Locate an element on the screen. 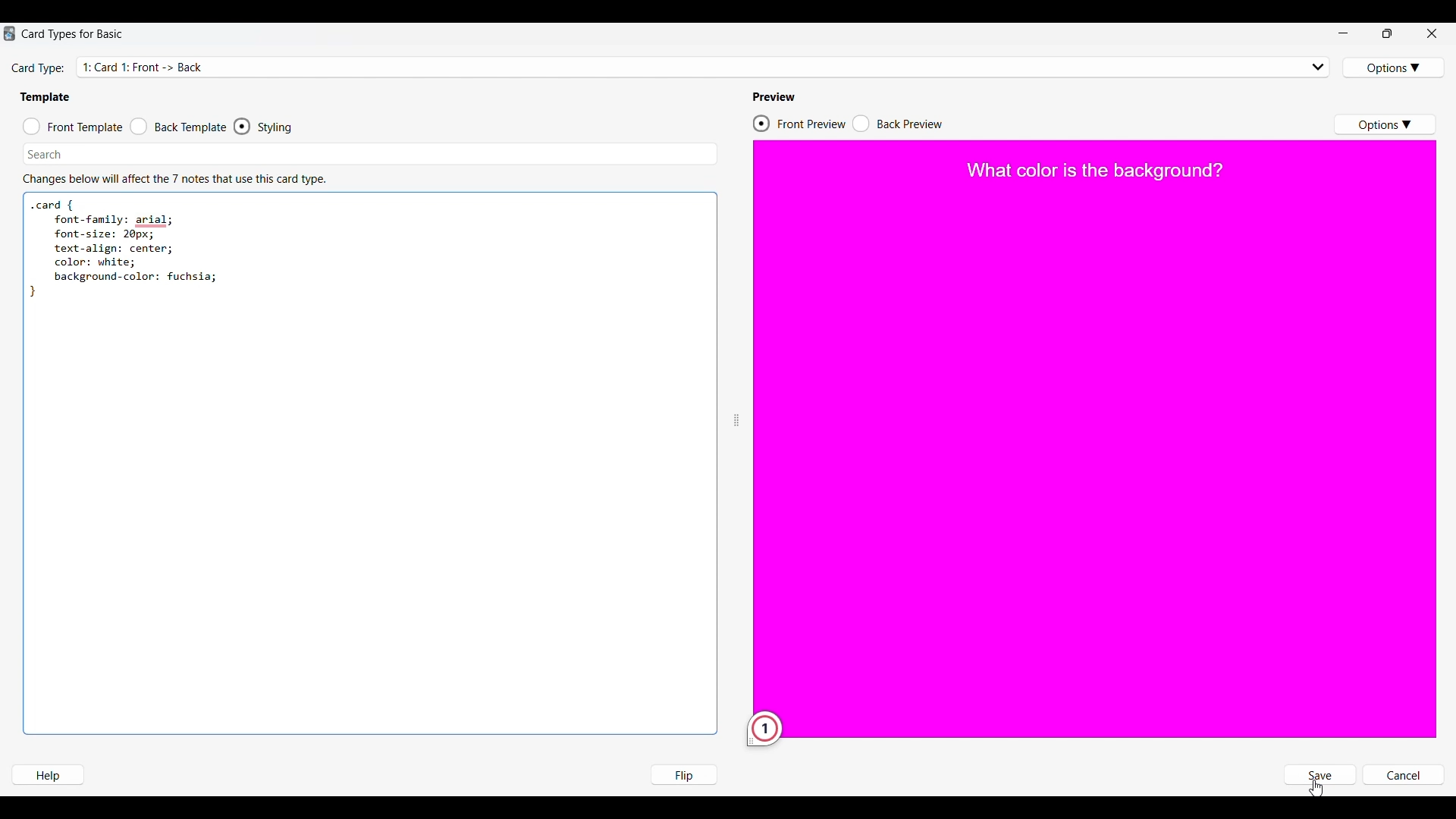  Styling selected is located at coordinates (243, 126).